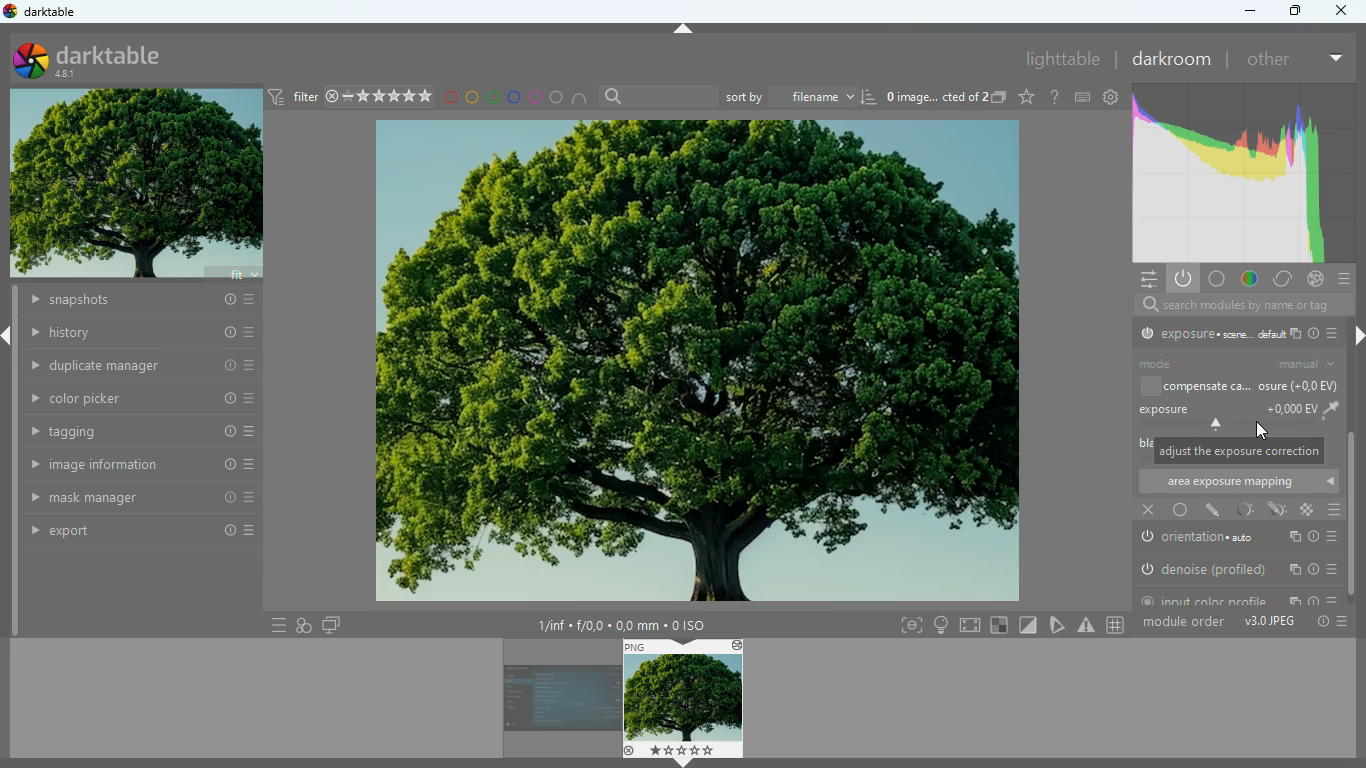 The image size is (1366, 768). I want to click on minimize, so click(1251, 13).